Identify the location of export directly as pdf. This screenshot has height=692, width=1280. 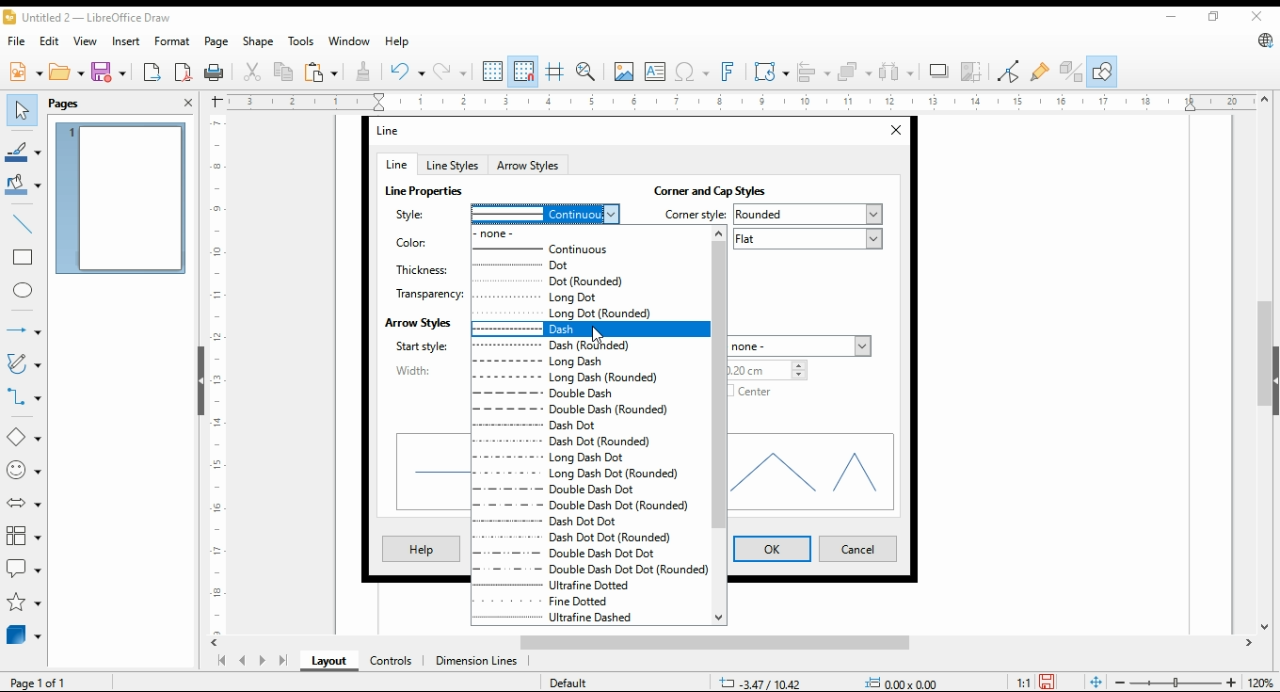
(184, 71).